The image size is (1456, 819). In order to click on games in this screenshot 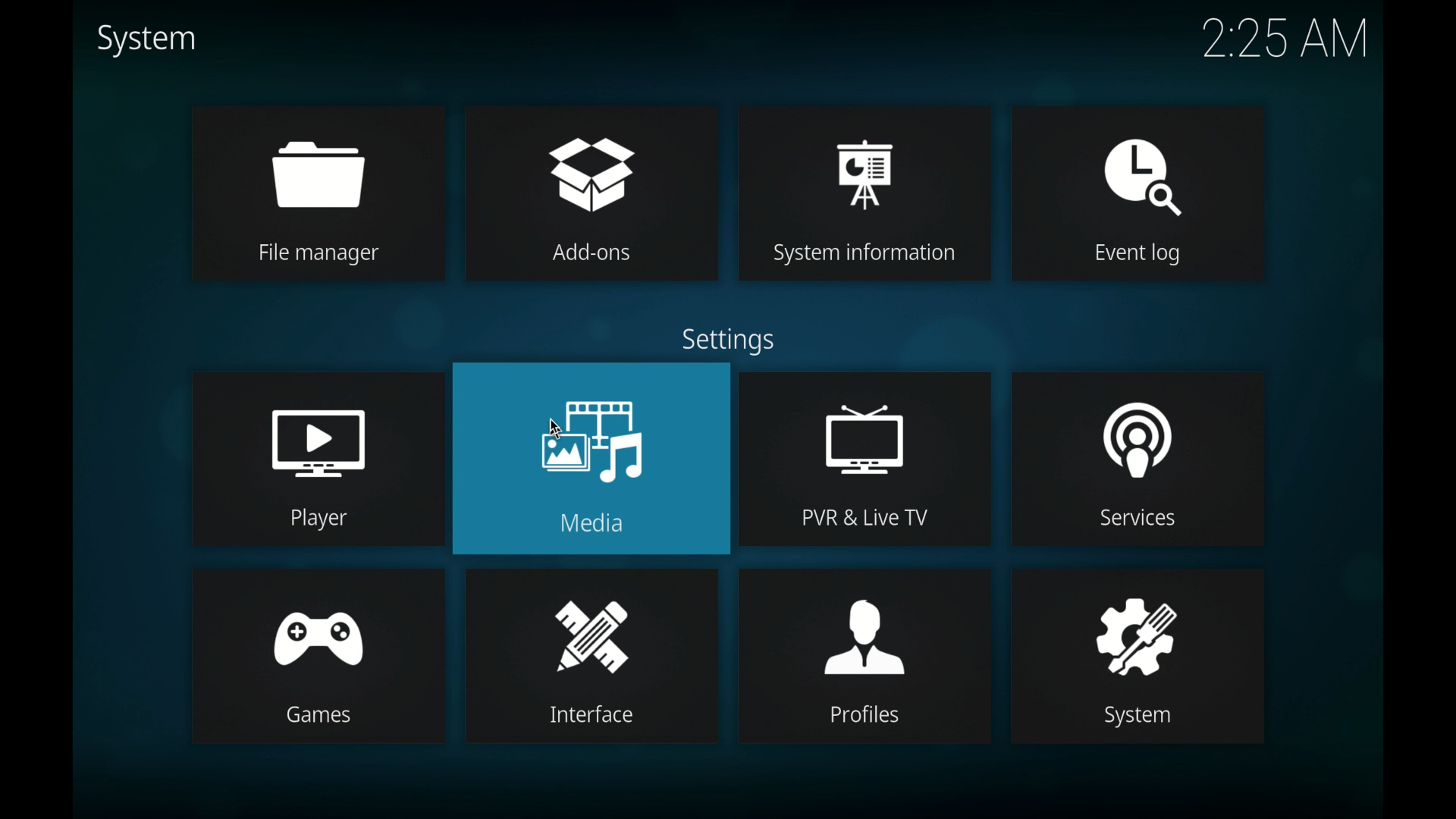, I will do `click(318, 625)`.